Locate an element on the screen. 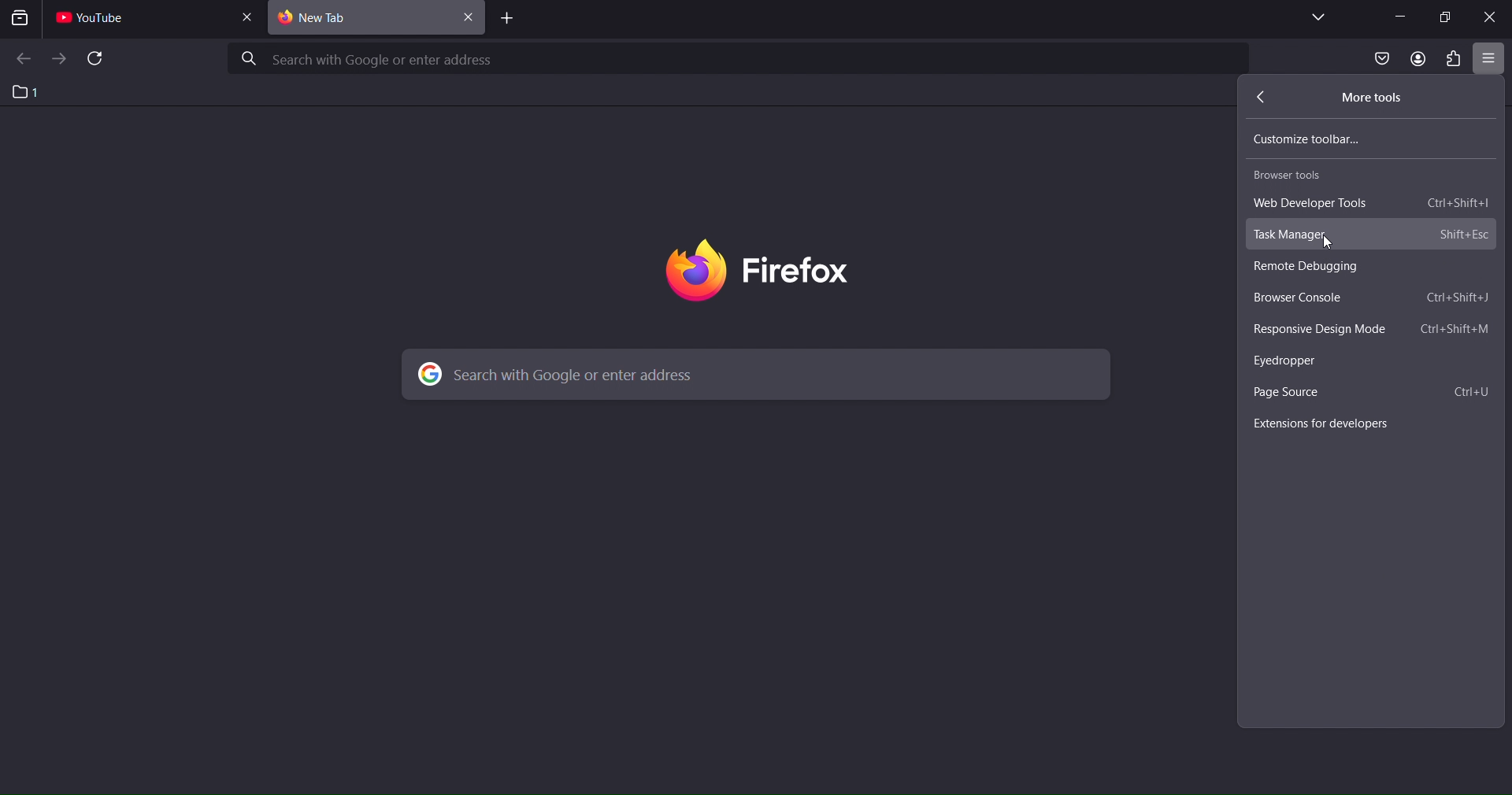  Ctrl+Shift+I is located at coordinates (1458, 204).